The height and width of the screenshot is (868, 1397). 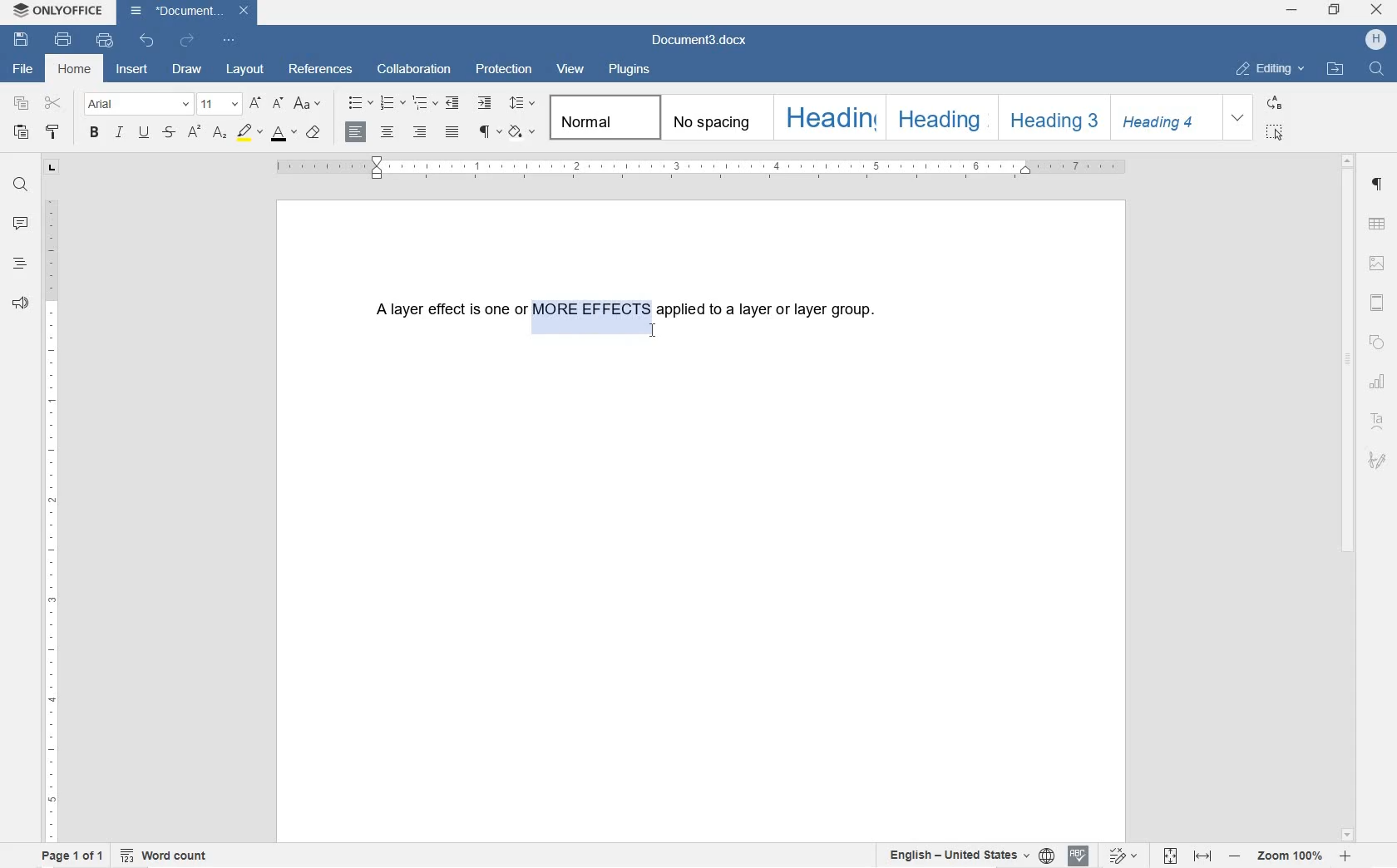 I want to click on SPELL CHECKING, so click(x=1079, y=855).